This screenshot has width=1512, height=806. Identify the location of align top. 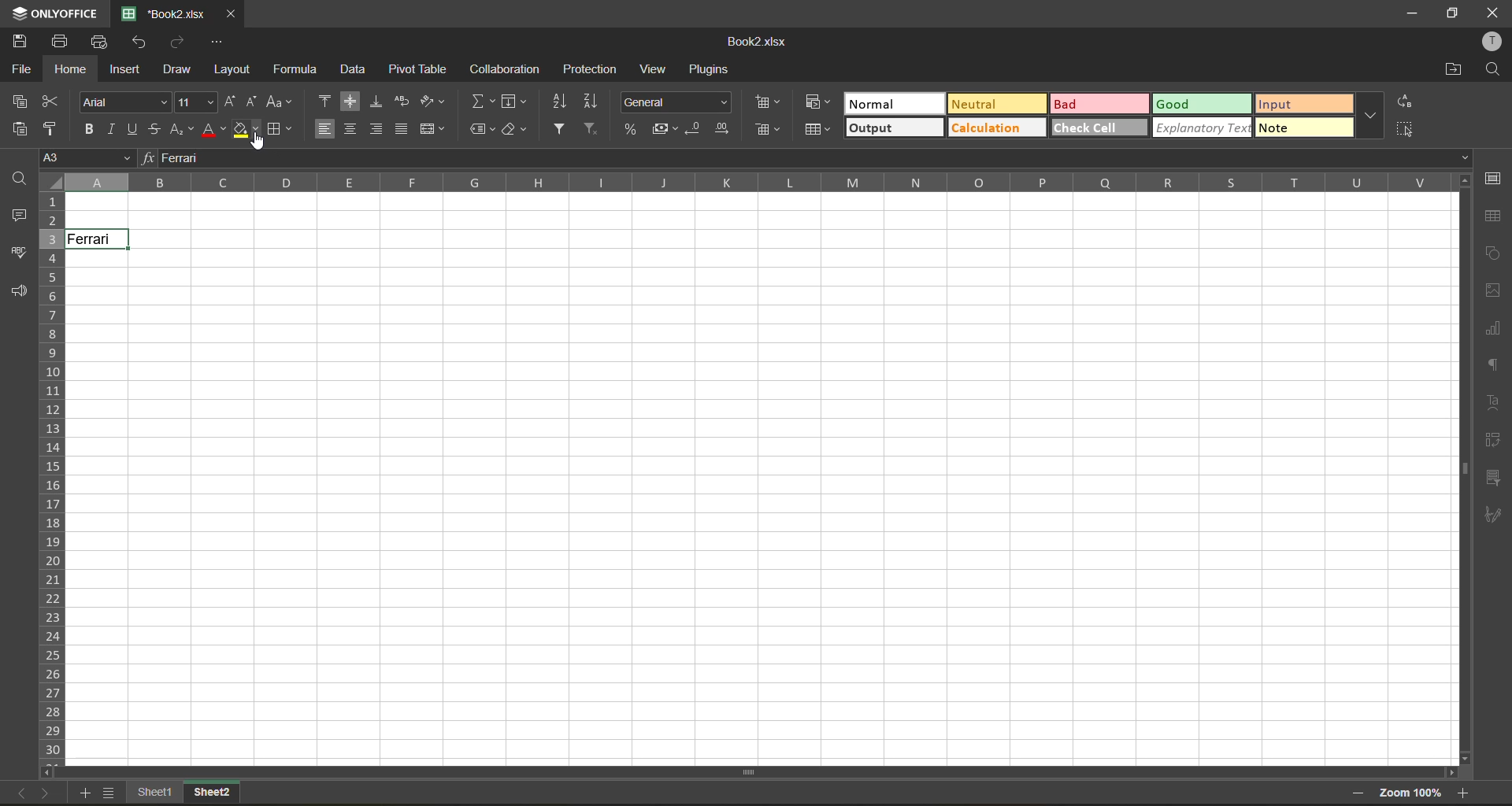
(324, 100).